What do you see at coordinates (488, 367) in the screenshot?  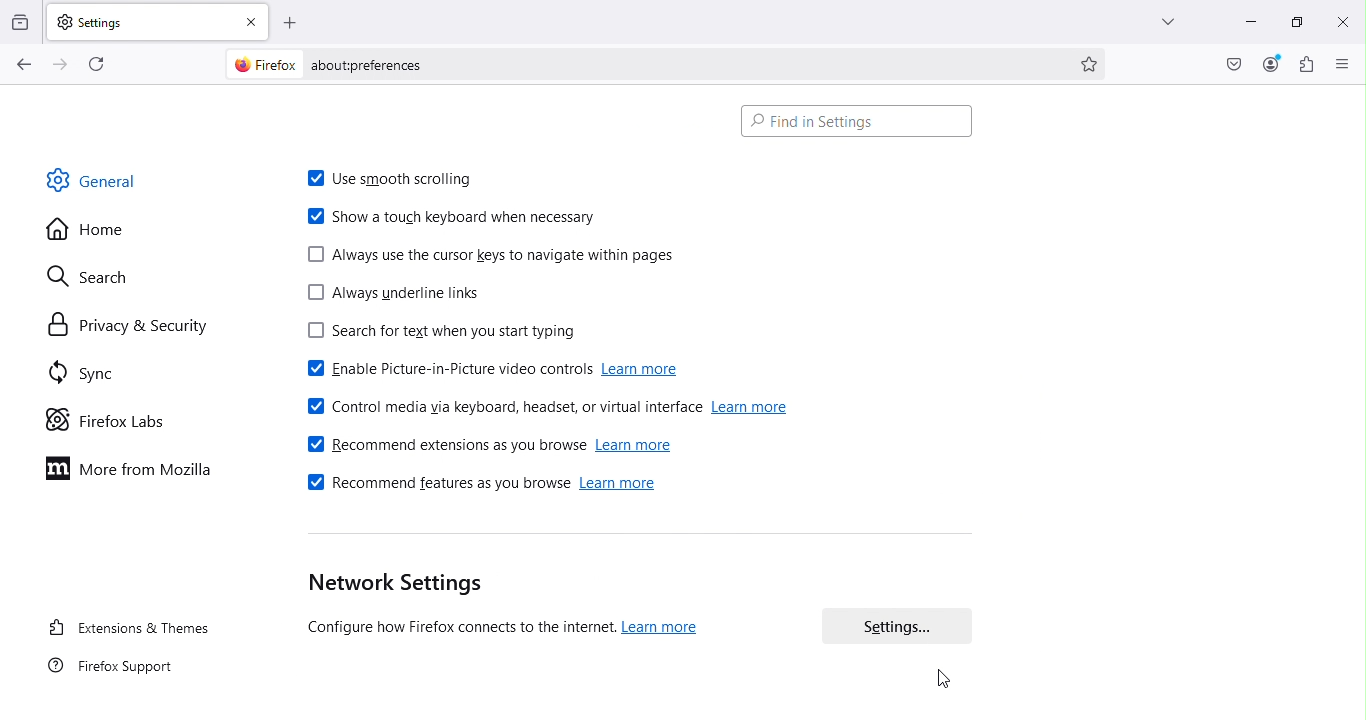 I see `Enable picture-in-picture video controls` at bounding box center [488, 367].